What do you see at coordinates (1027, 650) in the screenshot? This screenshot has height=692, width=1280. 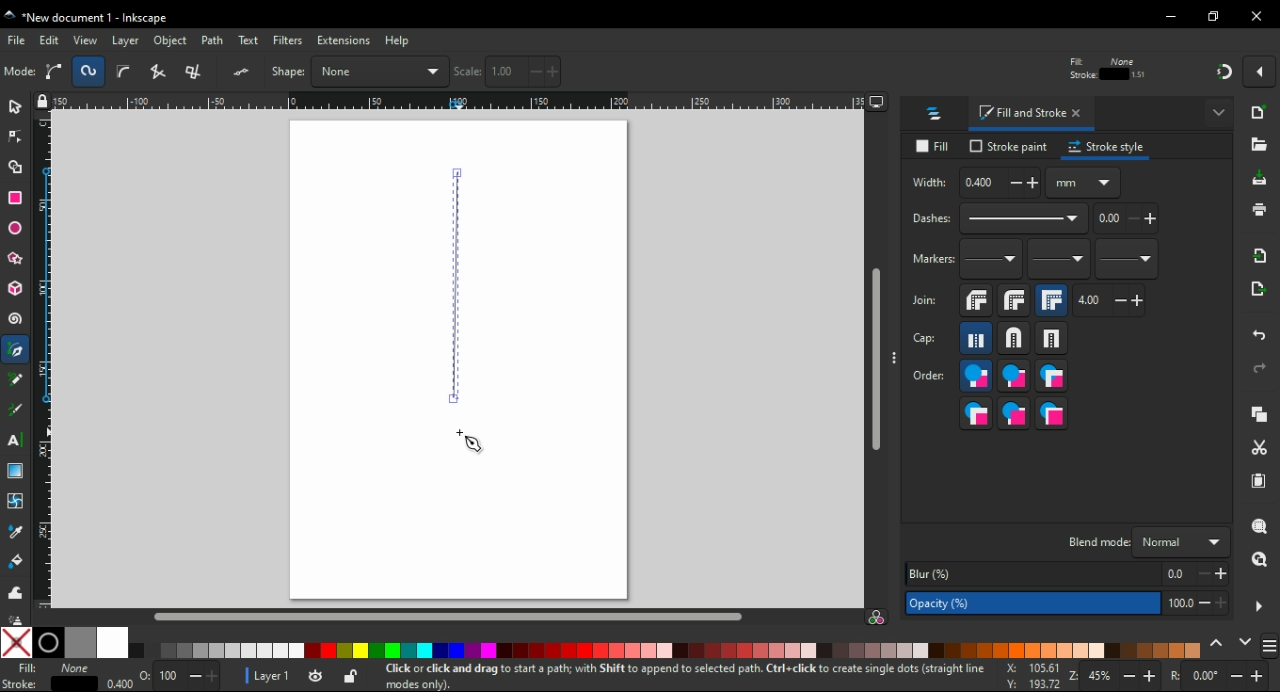 I see `color tone pallete` at bounding box center [1027, 650].